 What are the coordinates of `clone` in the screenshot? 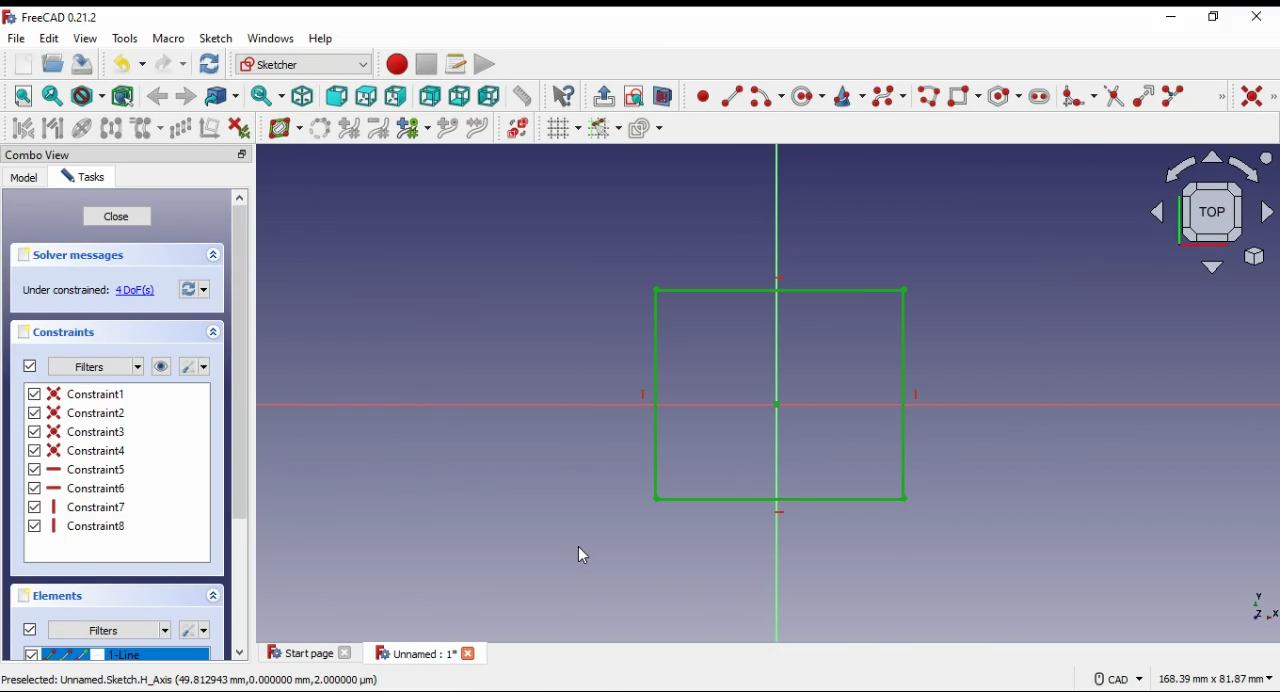 It's located at (147, 128).